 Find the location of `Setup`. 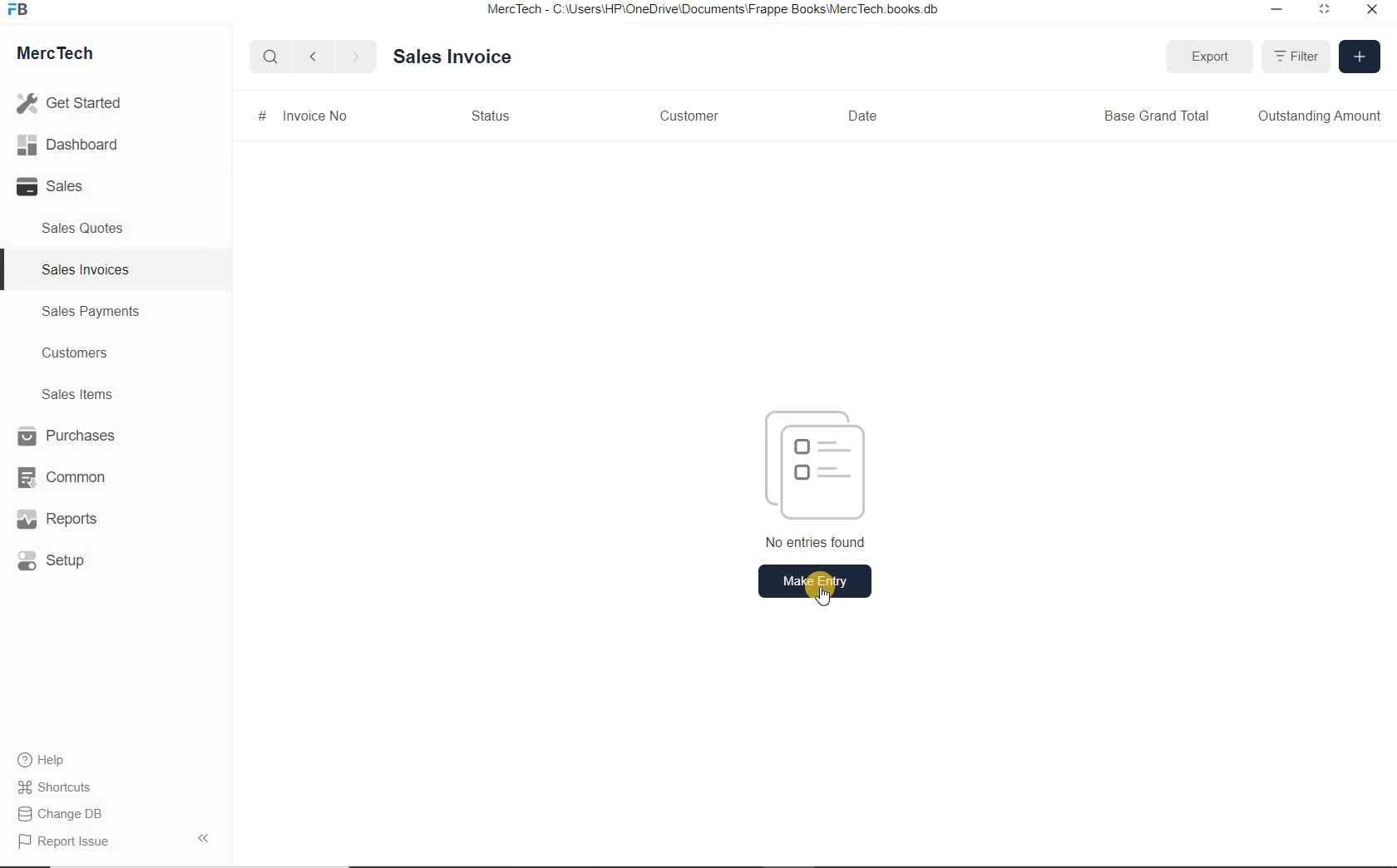

Setup is located at coordinates (70, 560).